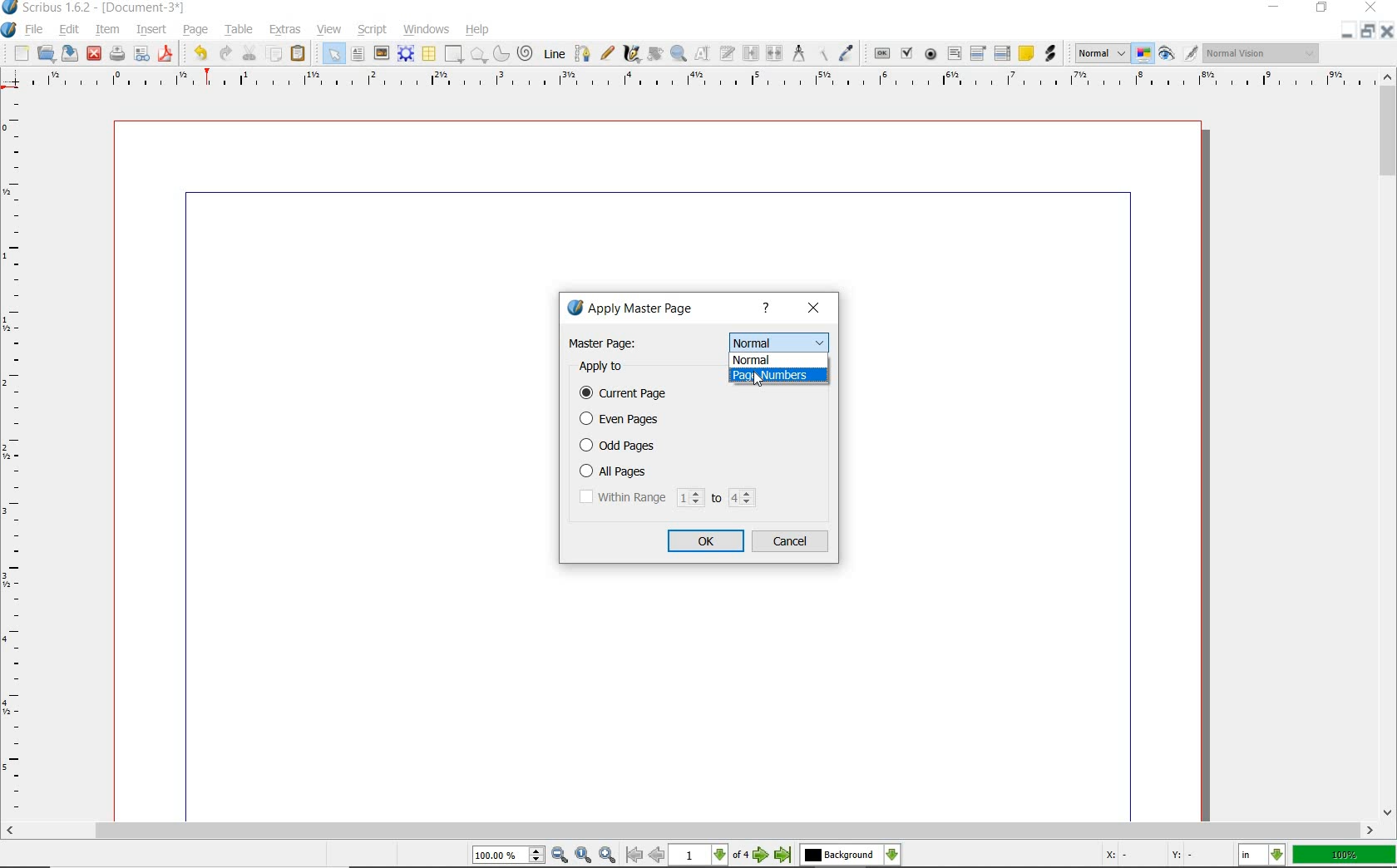 The image size is (1397, 868). Describe the element at coordinates (623, 421) in the screenshot. I see `even pages` at that location.